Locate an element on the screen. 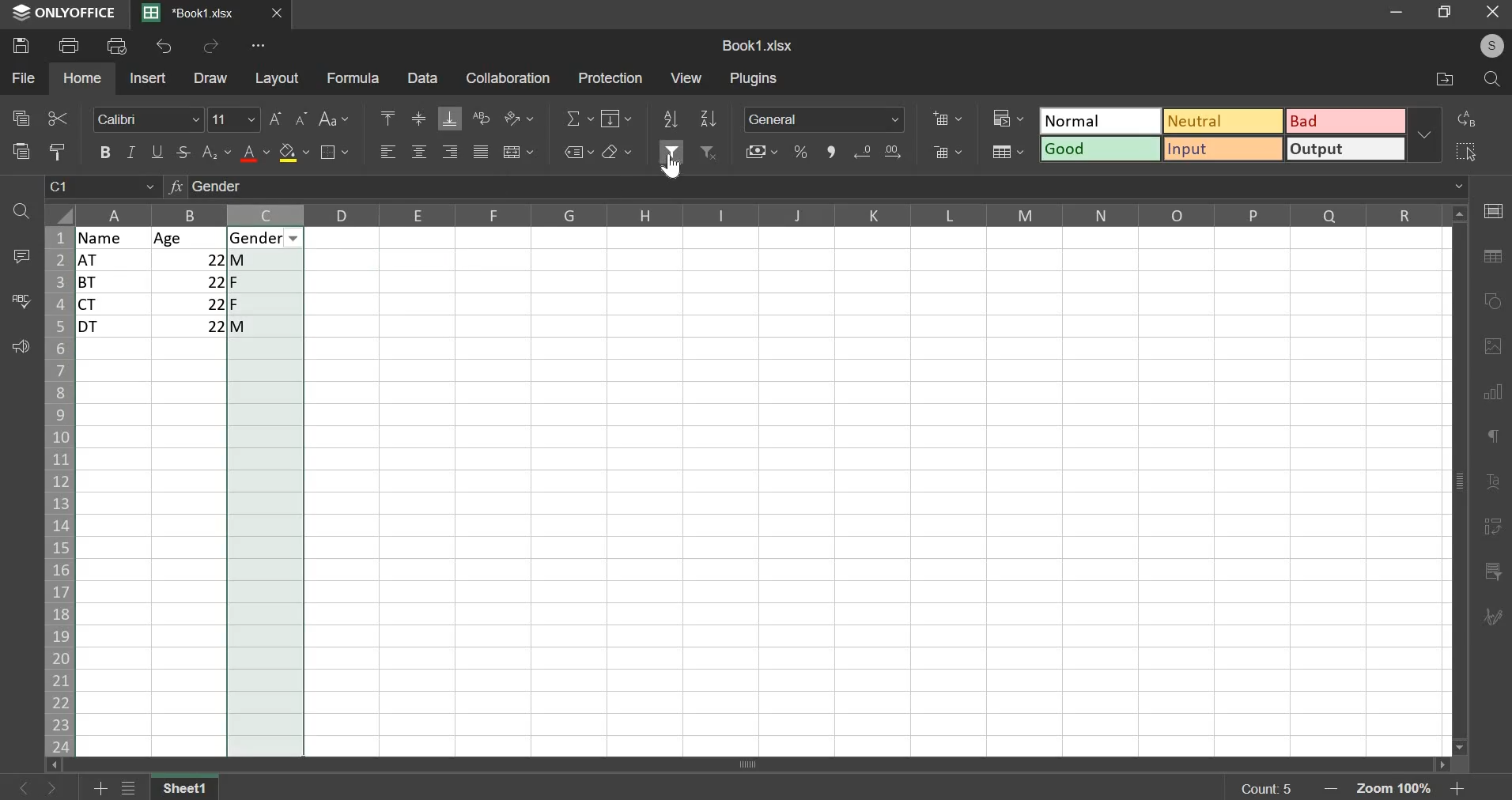 This screenshot has width=1512, height=800. profile is located at coordinates (1492, 47).